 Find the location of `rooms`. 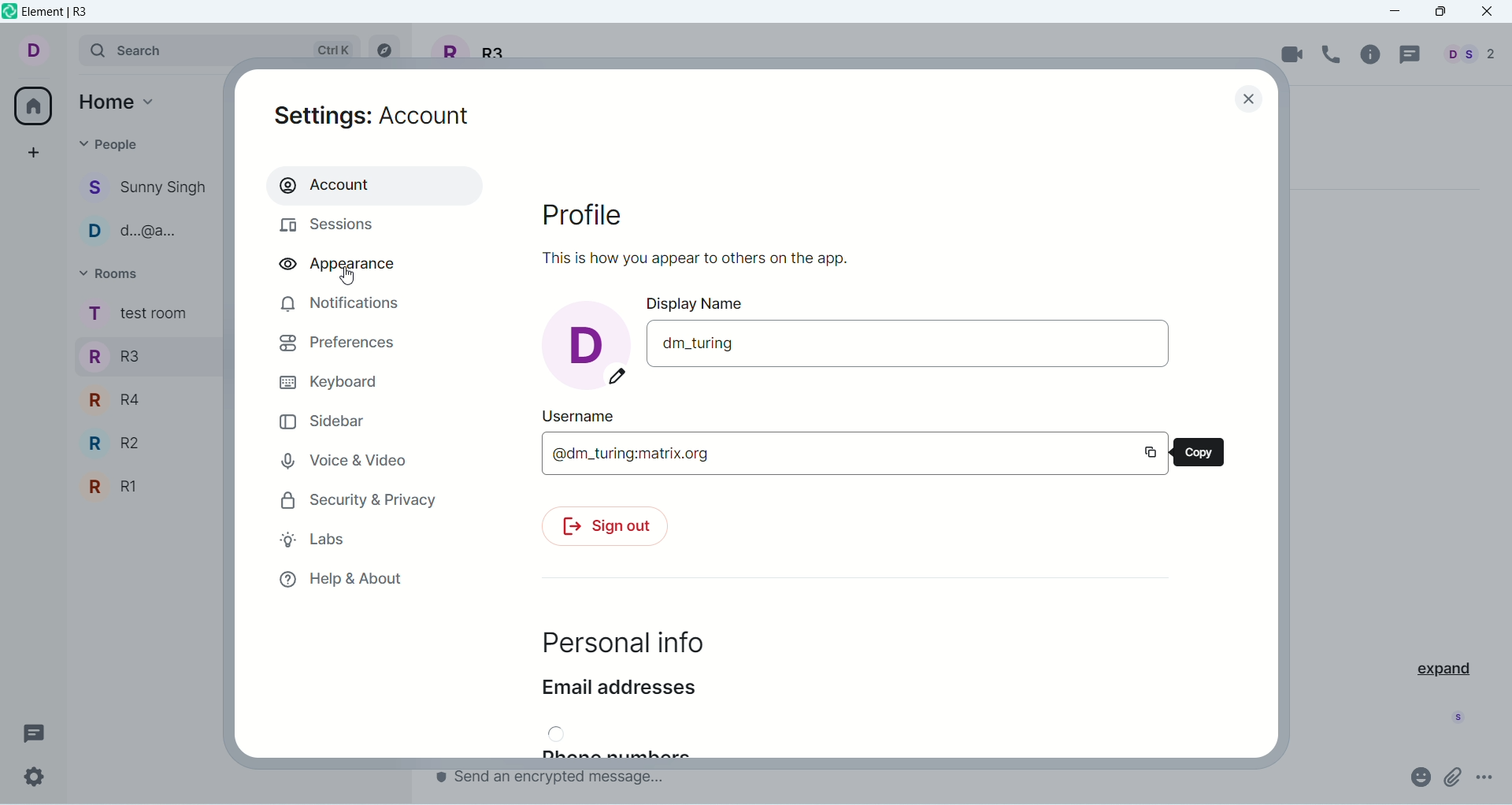

rooms is located at coordinates (112, 273).